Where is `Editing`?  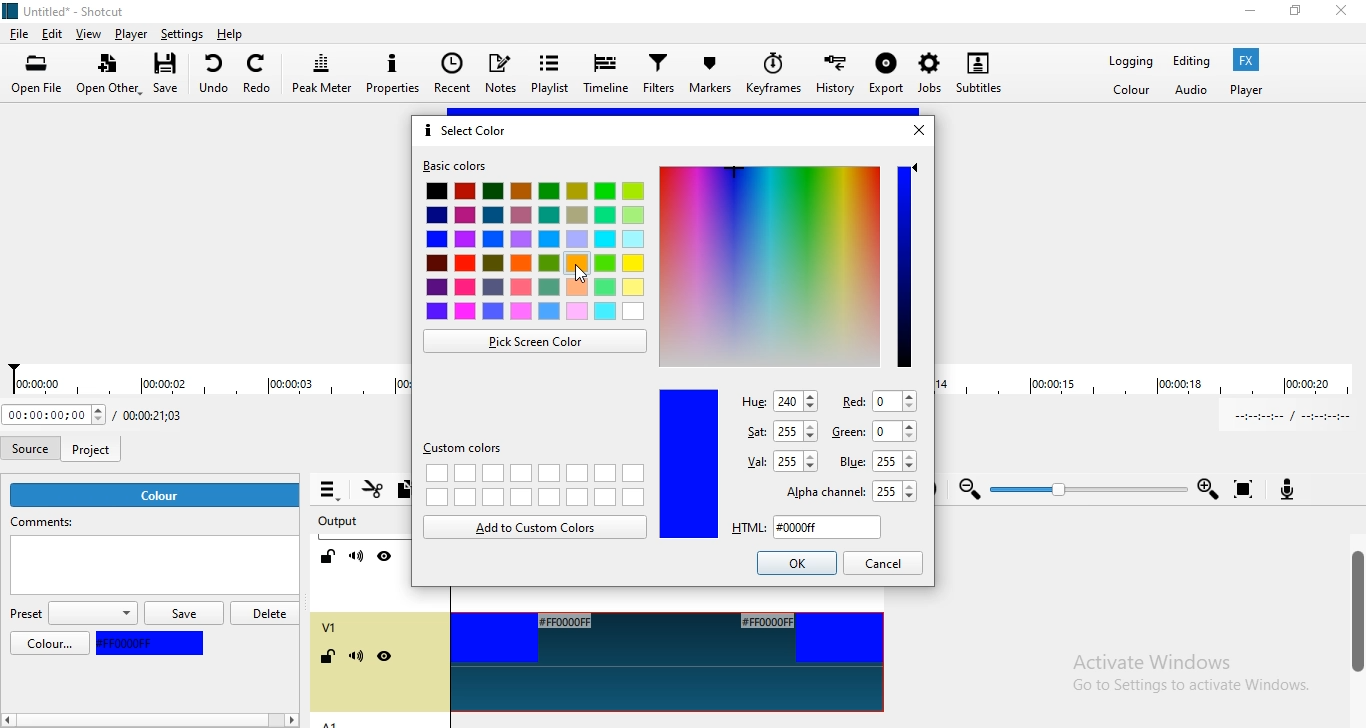
Editing is located at coordinates (1189, 60).